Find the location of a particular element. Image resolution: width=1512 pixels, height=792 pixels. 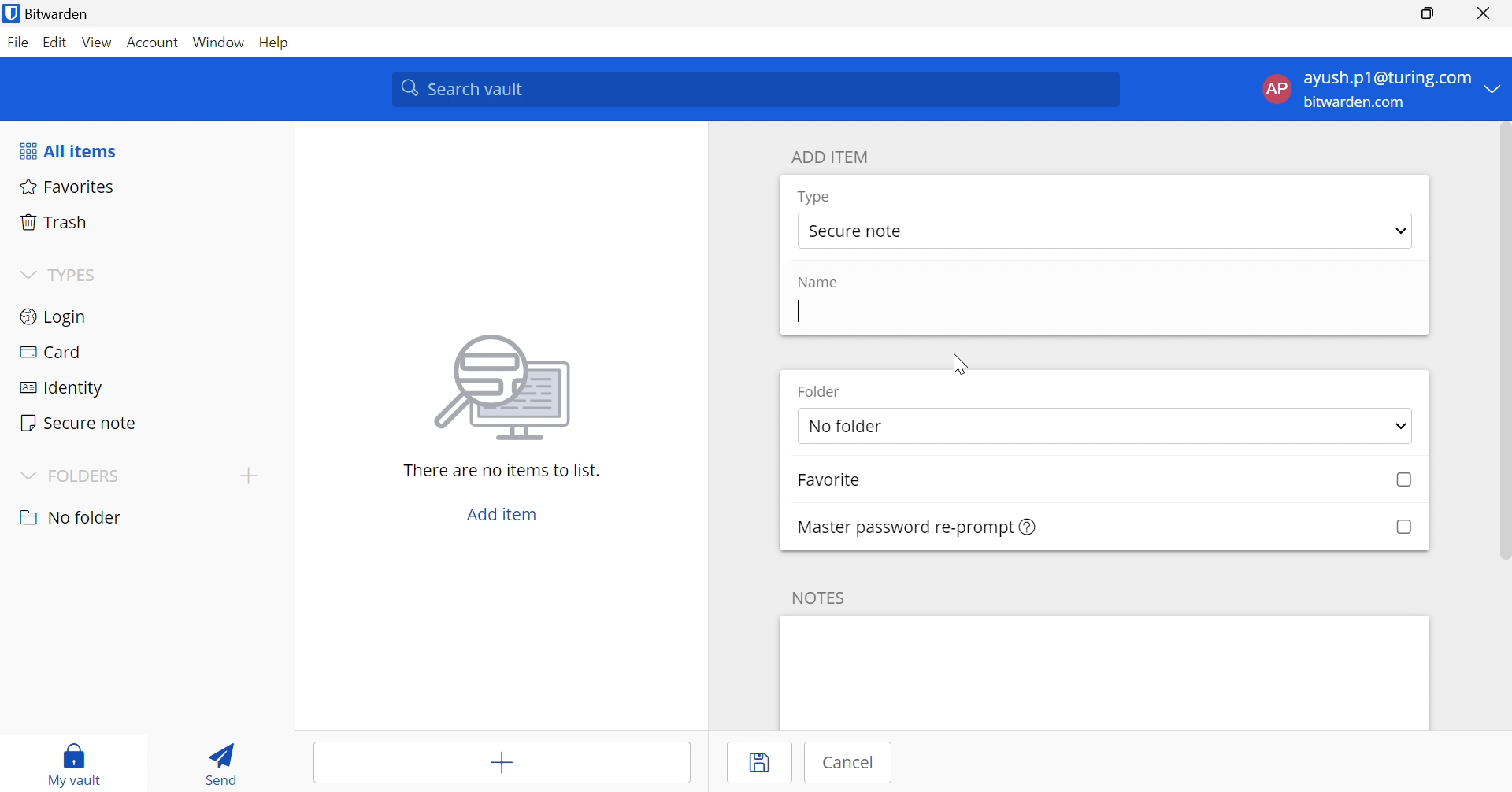

Favorites is located at coordinates (146, 188).